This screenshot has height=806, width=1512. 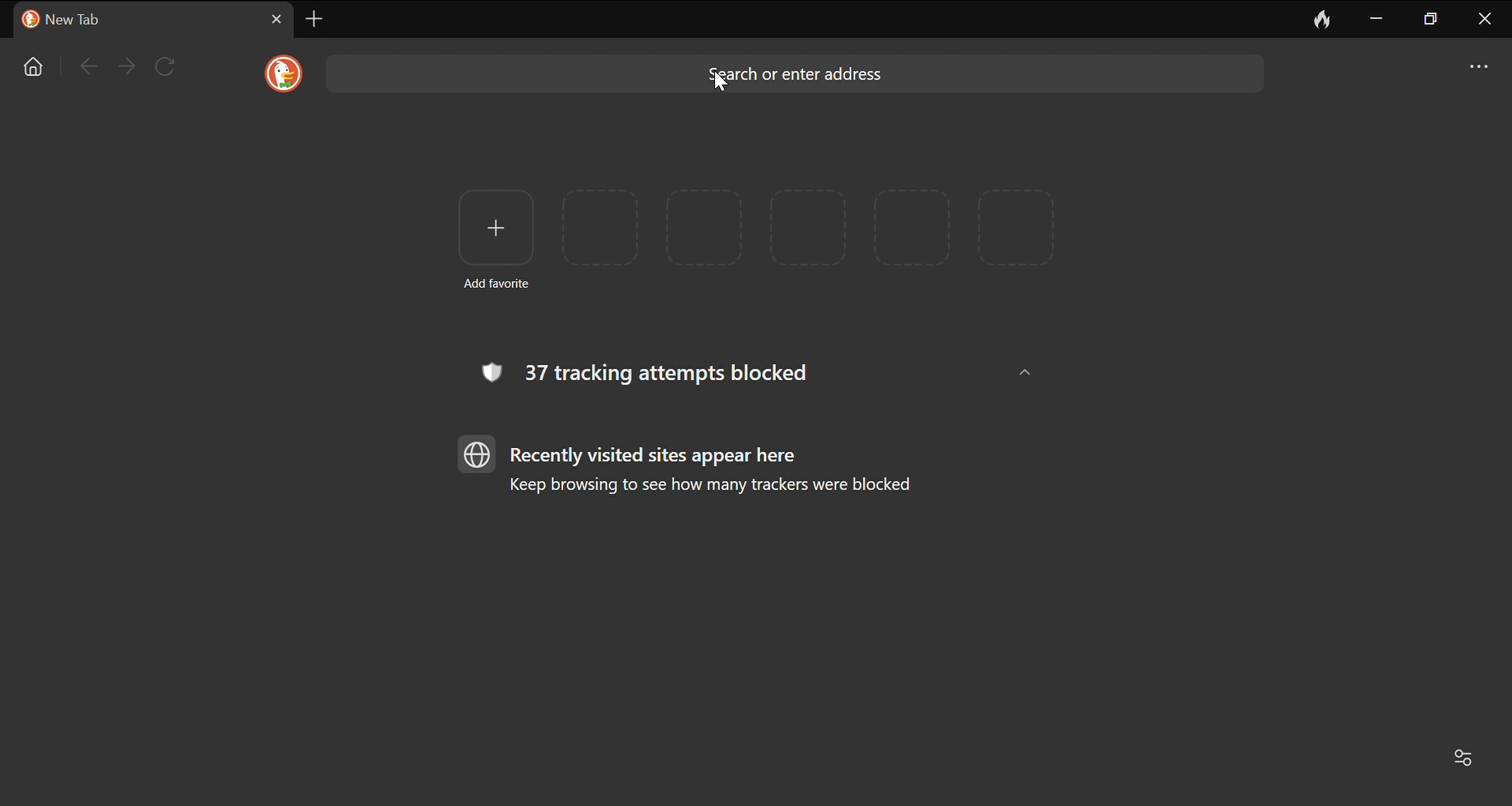 What do you see at coordinates (284, 73) in the screenshot?
I see `DuckDuckGo Logo` at bounding box center [284, 73].